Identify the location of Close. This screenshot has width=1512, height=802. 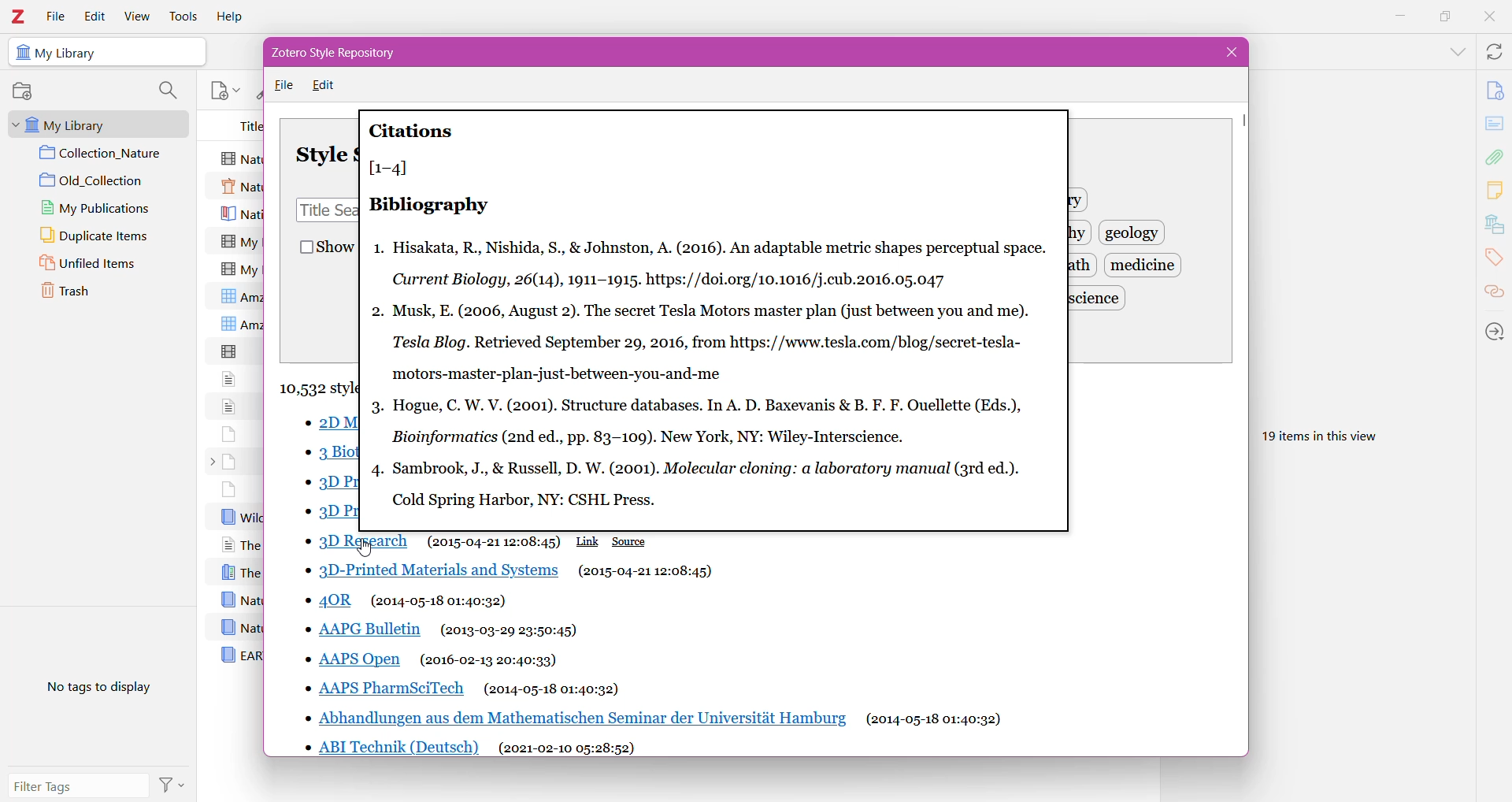
(1488, 18).